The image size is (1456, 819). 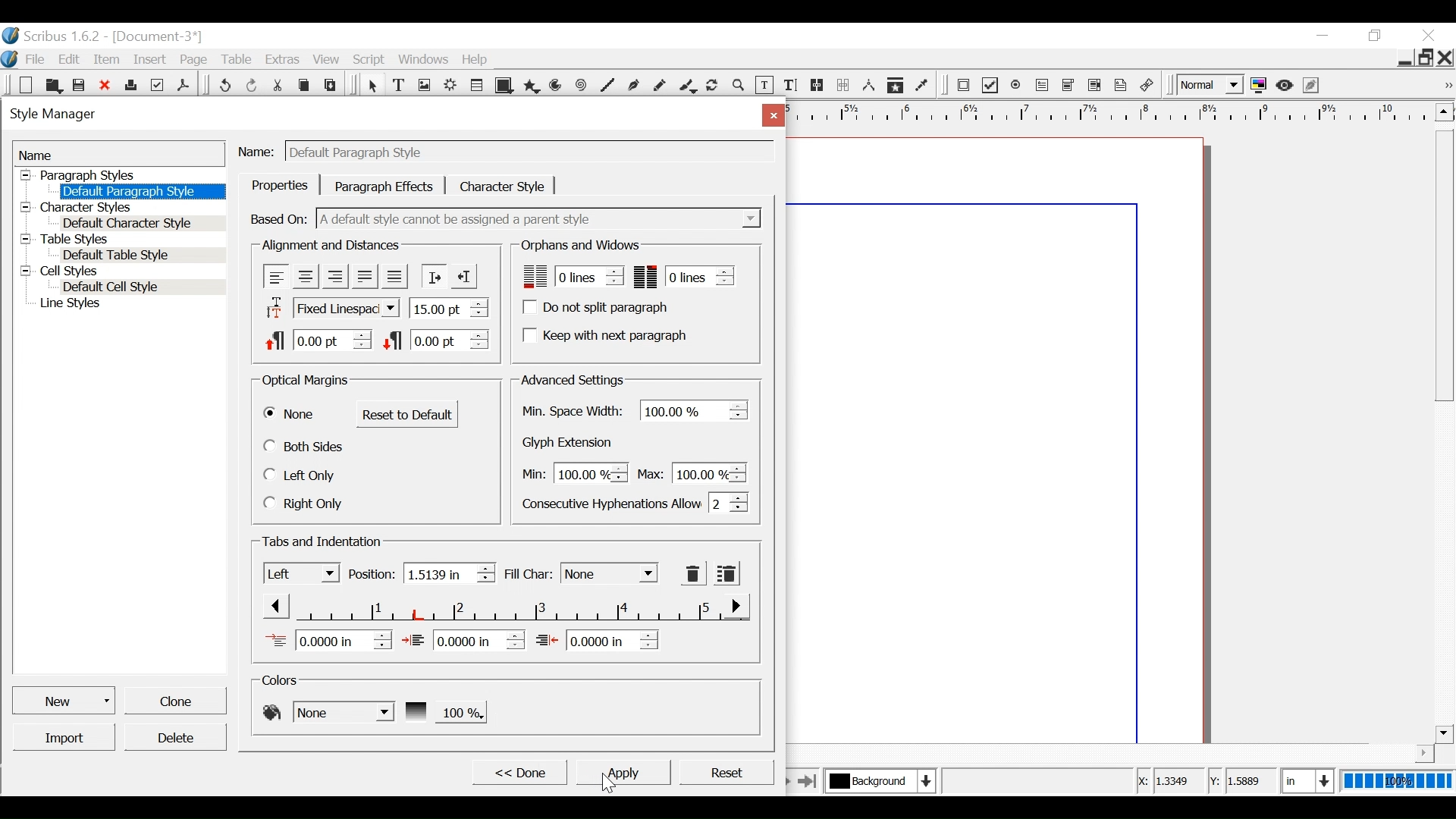 I want to click on Insert, so click(x=152, y=58).